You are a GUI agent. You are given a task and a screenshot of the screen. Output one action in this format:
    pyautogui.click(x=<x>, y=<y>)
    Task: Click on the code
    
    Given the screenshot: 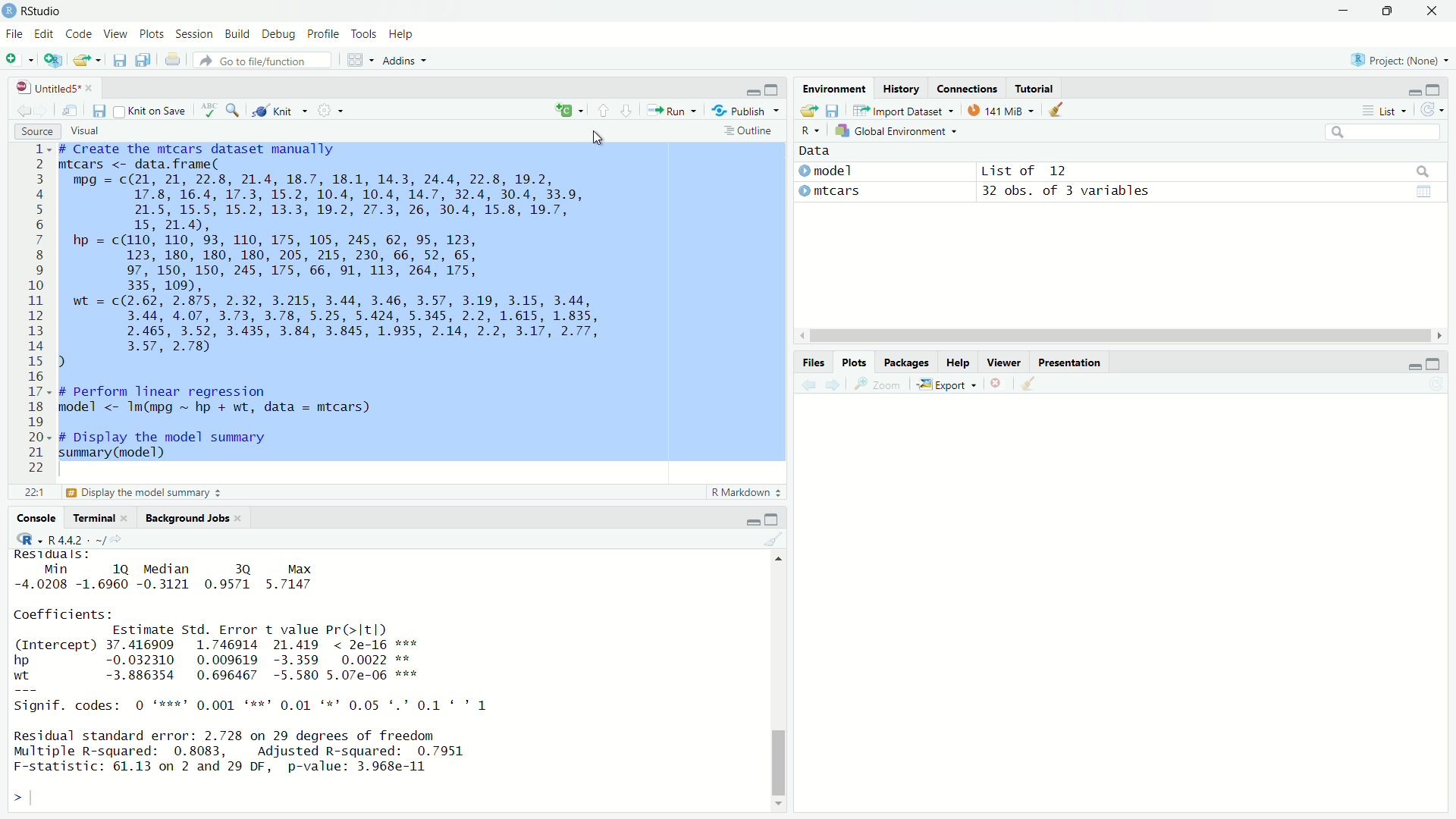 What is the action you would take?
    pyautogui.click(x=80, y=34)
    